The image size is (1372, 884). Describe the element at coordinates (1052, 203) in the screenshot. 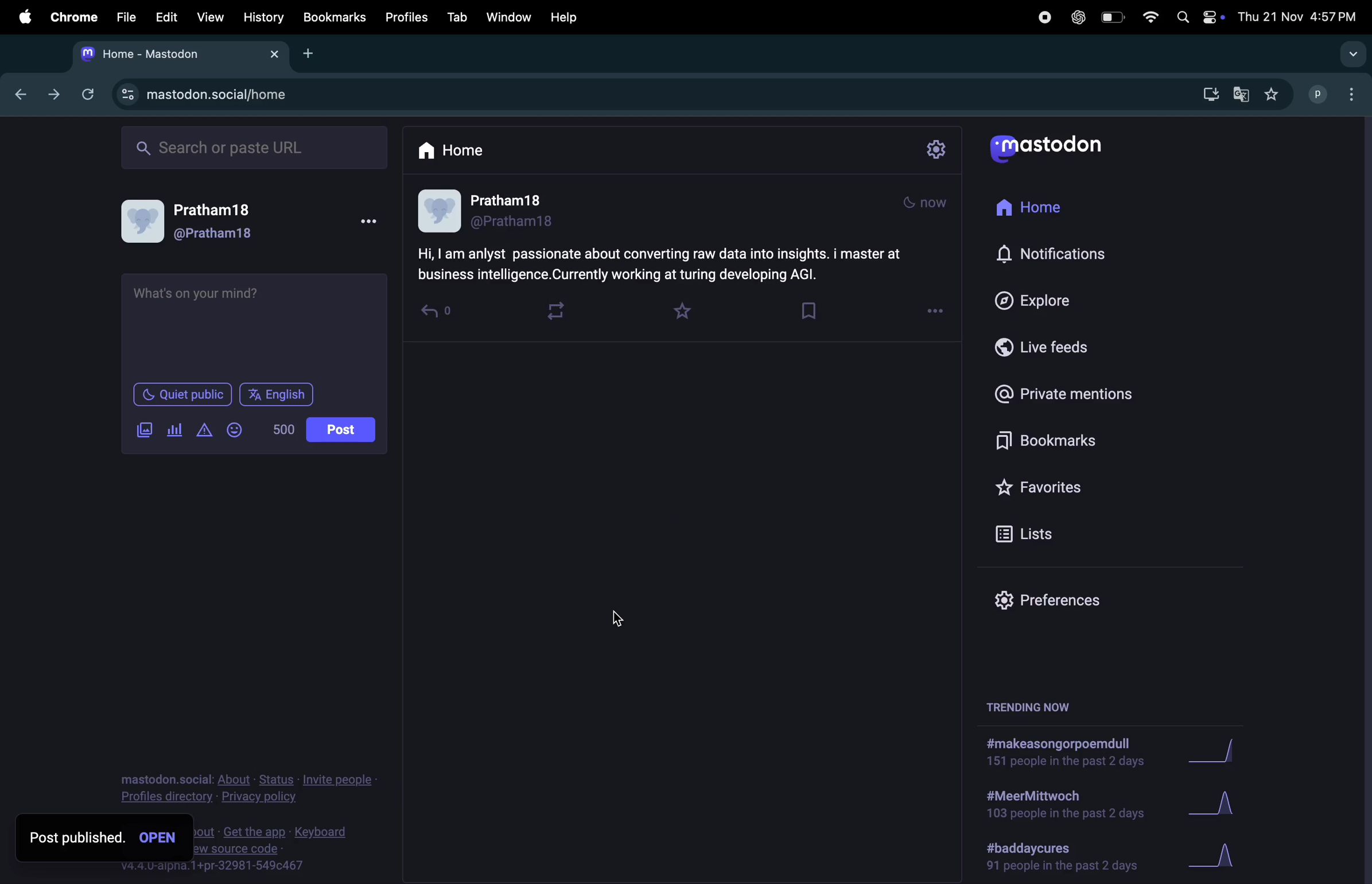

I see `home` at that location.